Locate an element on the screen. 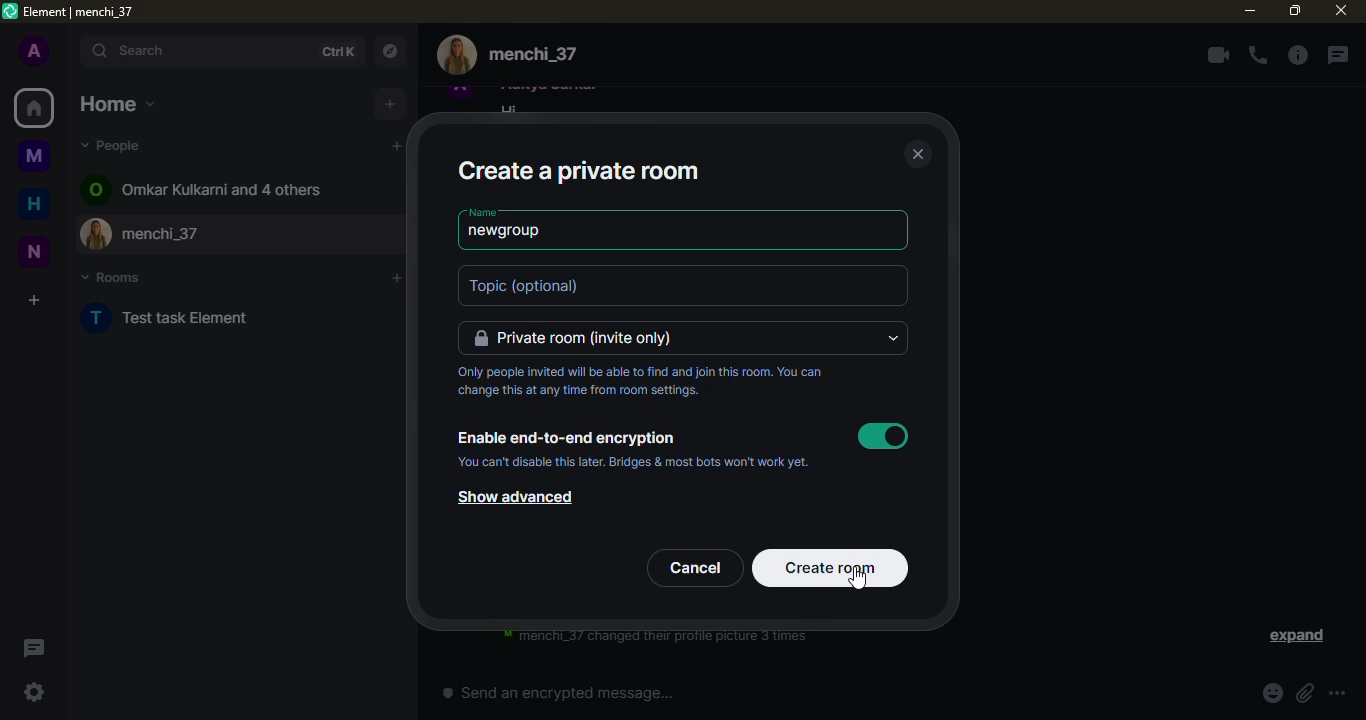 The image size is (1366, 720). menchi_37 is located at coordinates (264, 234).